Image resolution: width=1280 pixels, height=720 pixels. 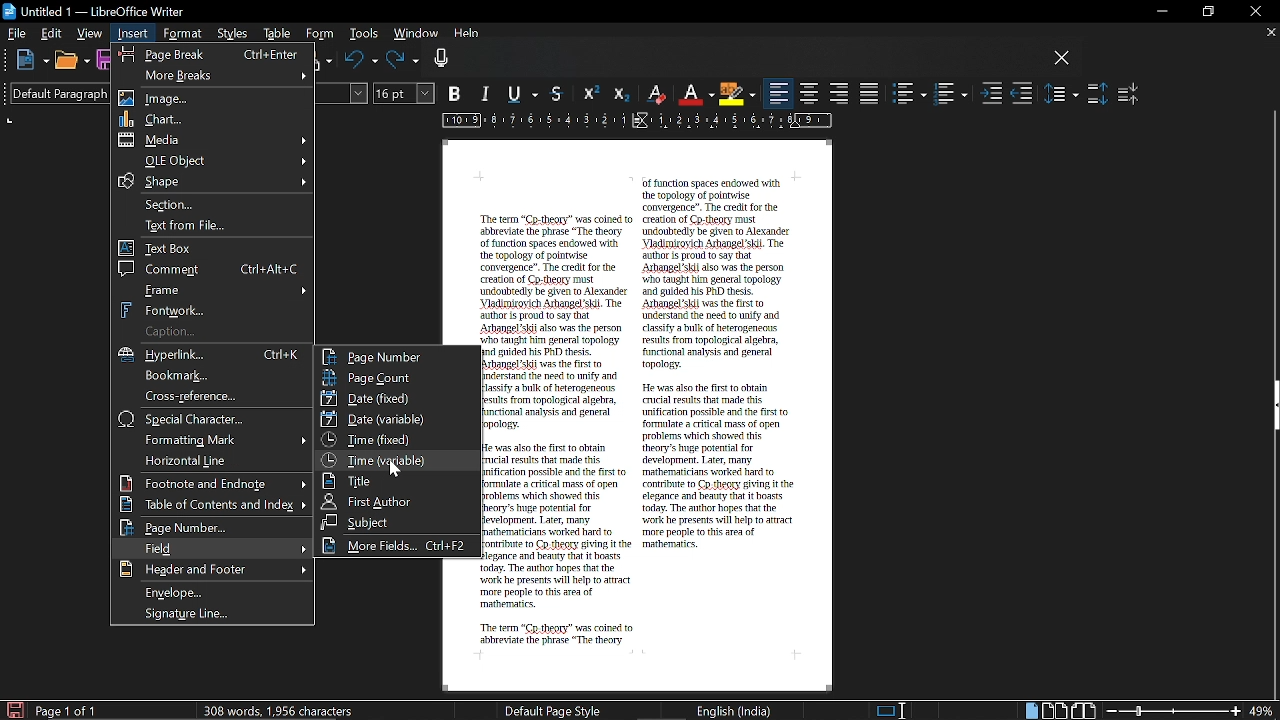 What do you see at coordinates (397, 420) in the screenshot?
I see `Date date variable` at bounding box center [397, 420].